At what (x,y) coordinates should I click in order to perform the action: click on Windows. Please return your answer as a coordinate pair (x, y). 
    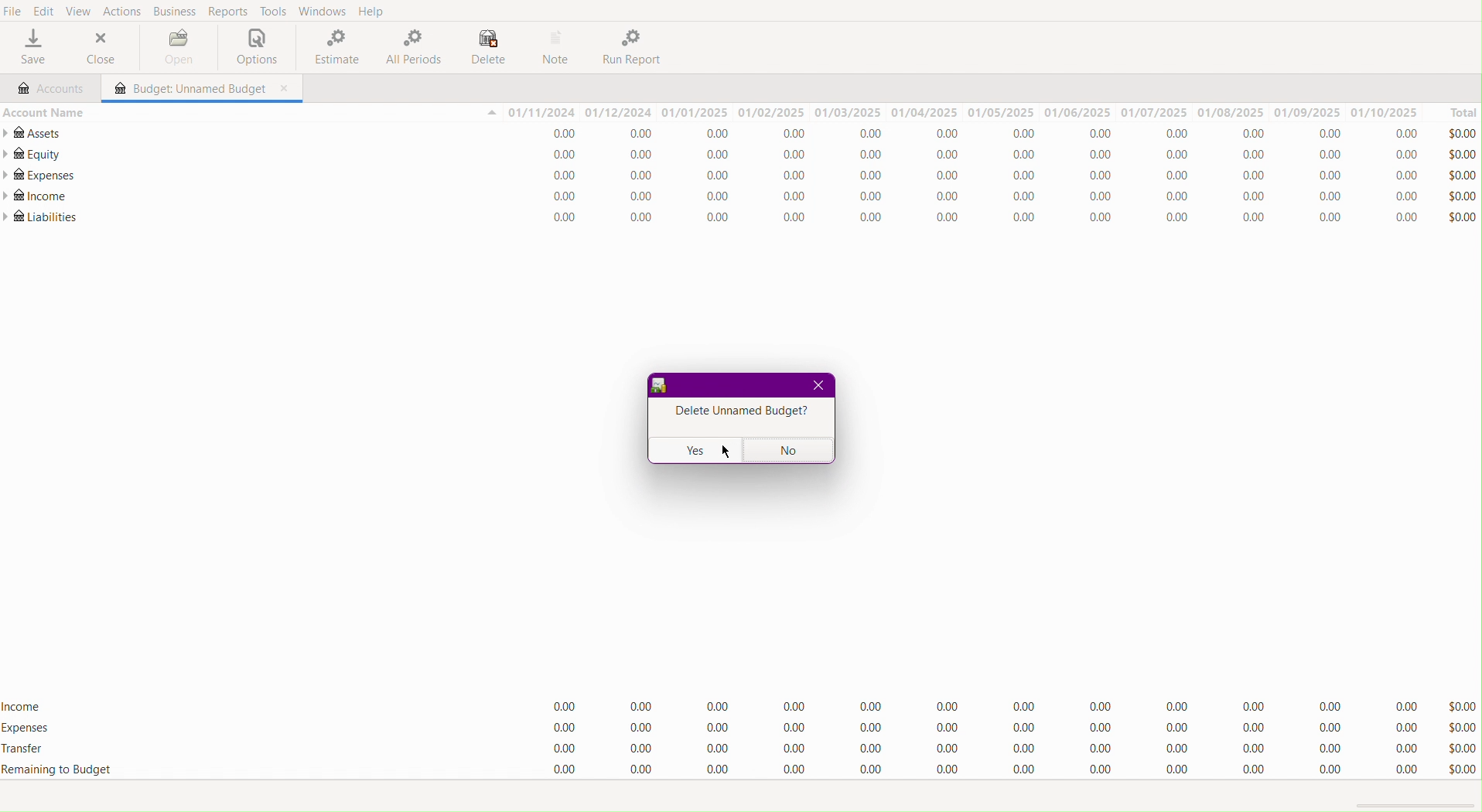
    Looking at the image, I should click on (323, 12).